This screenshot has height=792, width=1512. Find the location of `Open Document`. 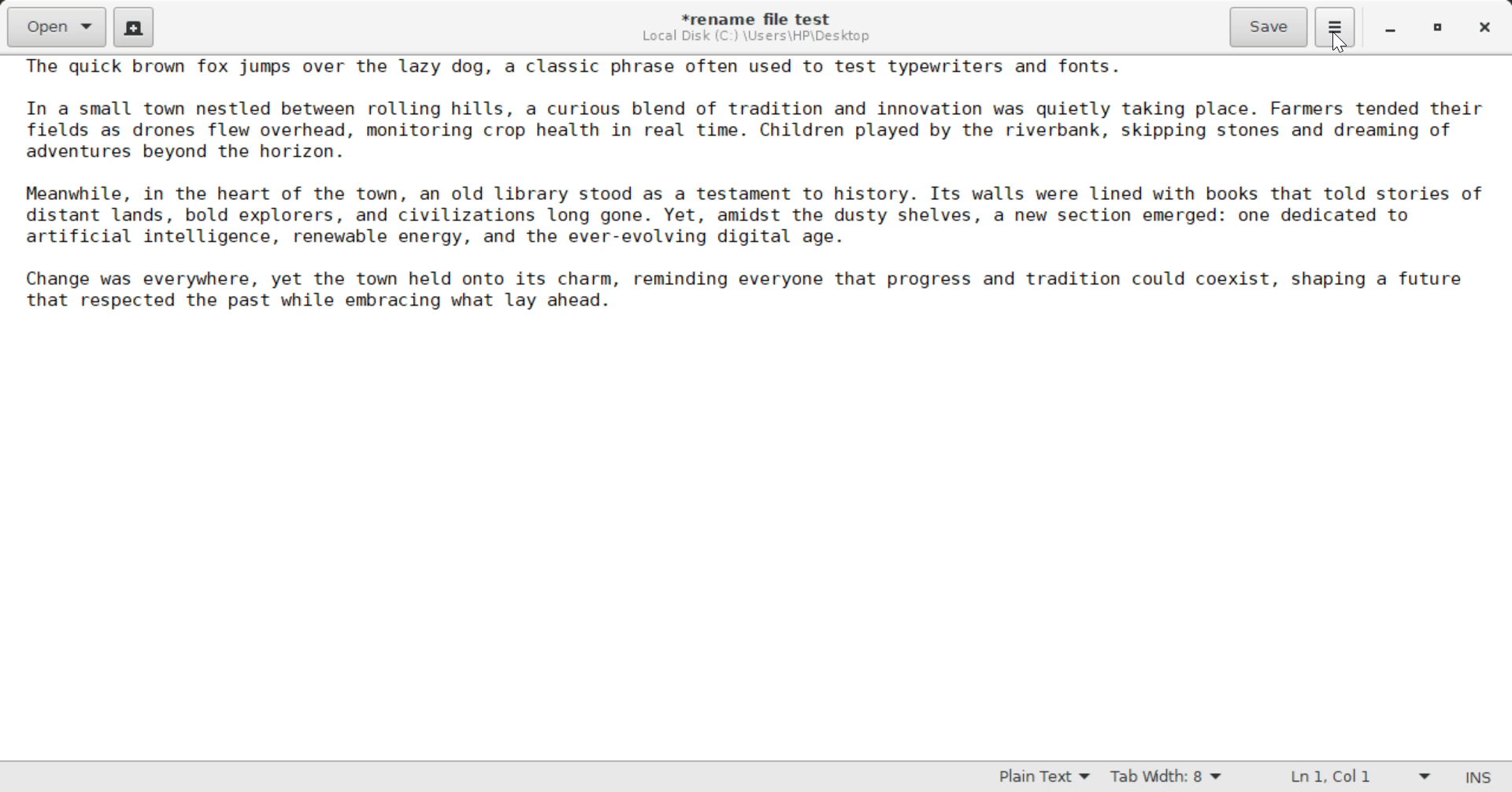

Open Document is located at coordinates (57, 27).